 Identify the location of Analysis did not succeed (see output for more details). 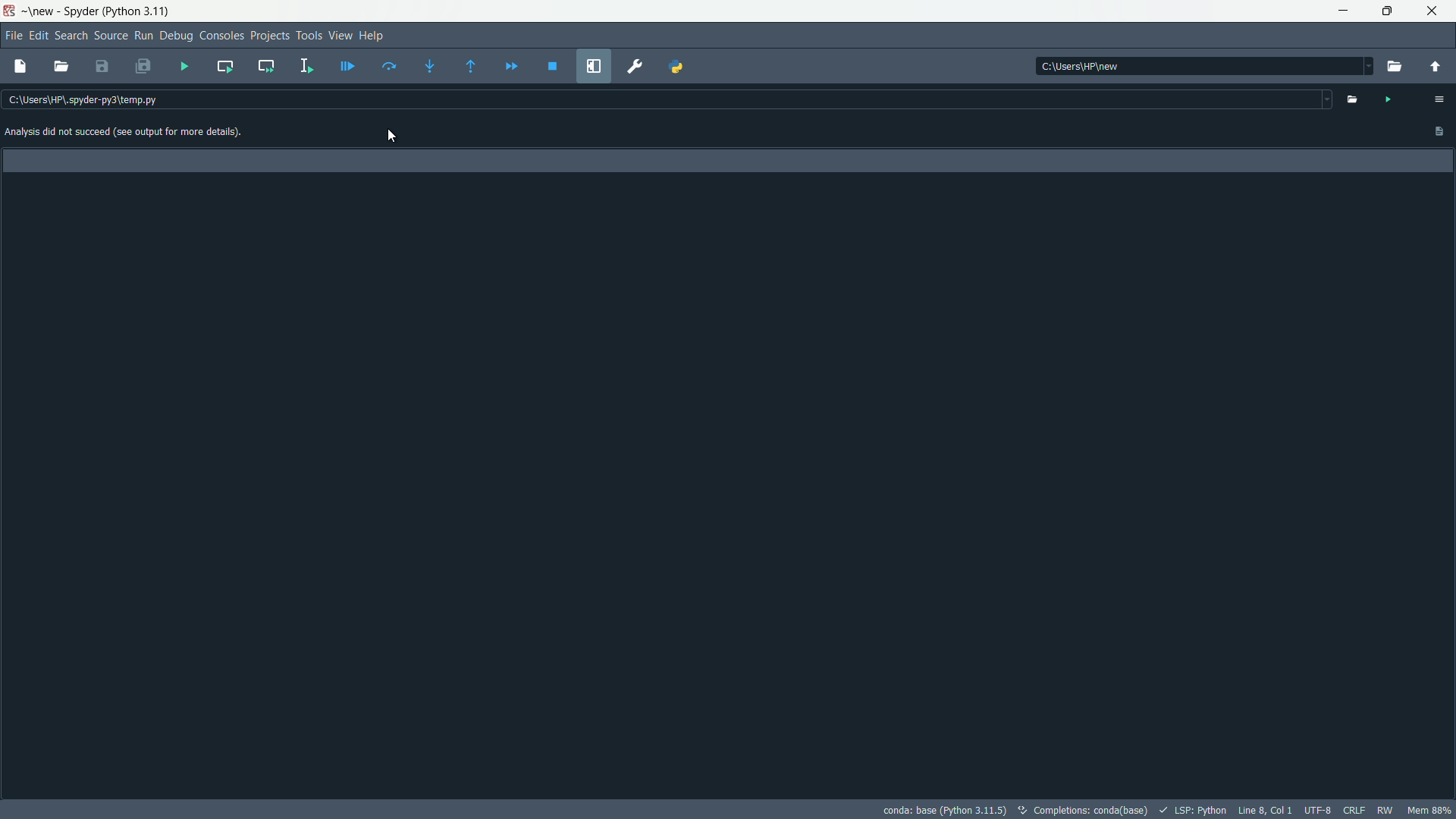
(130, 130).